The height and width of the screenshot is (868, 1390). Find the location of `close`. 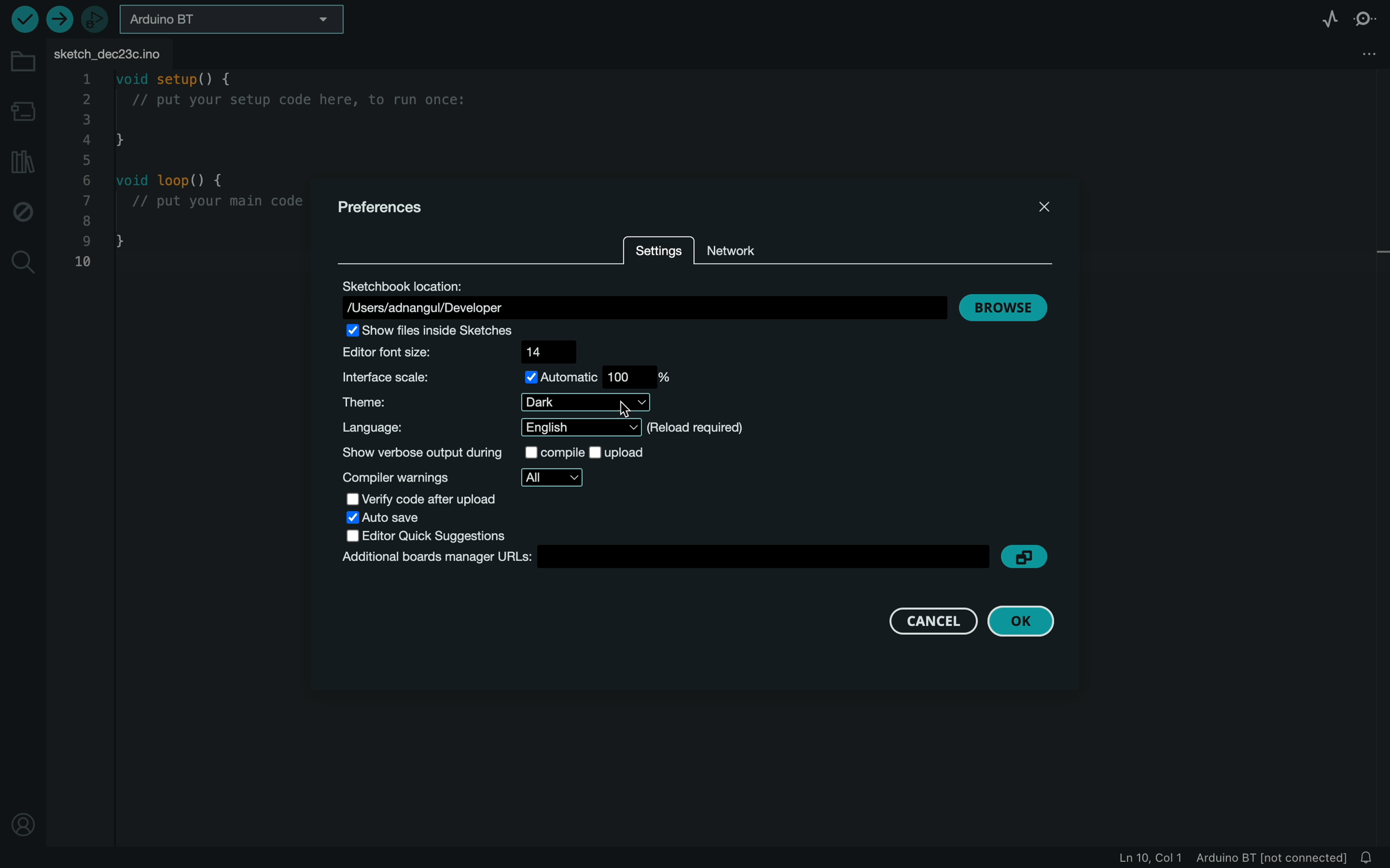

close is located at coordinates (1045, 207).